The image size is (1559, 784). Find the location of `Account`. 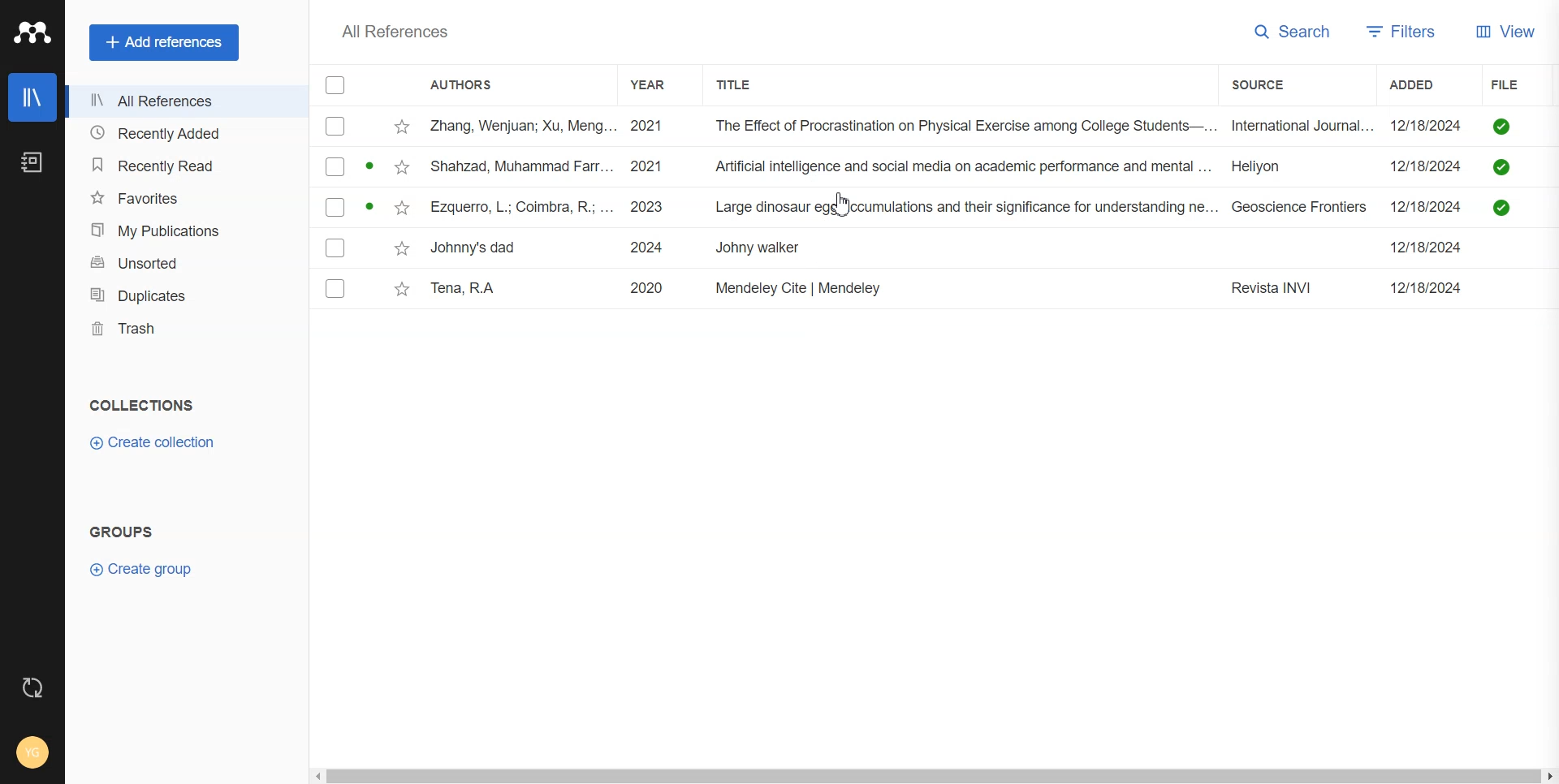

Account is located at coordinates (30, 749).